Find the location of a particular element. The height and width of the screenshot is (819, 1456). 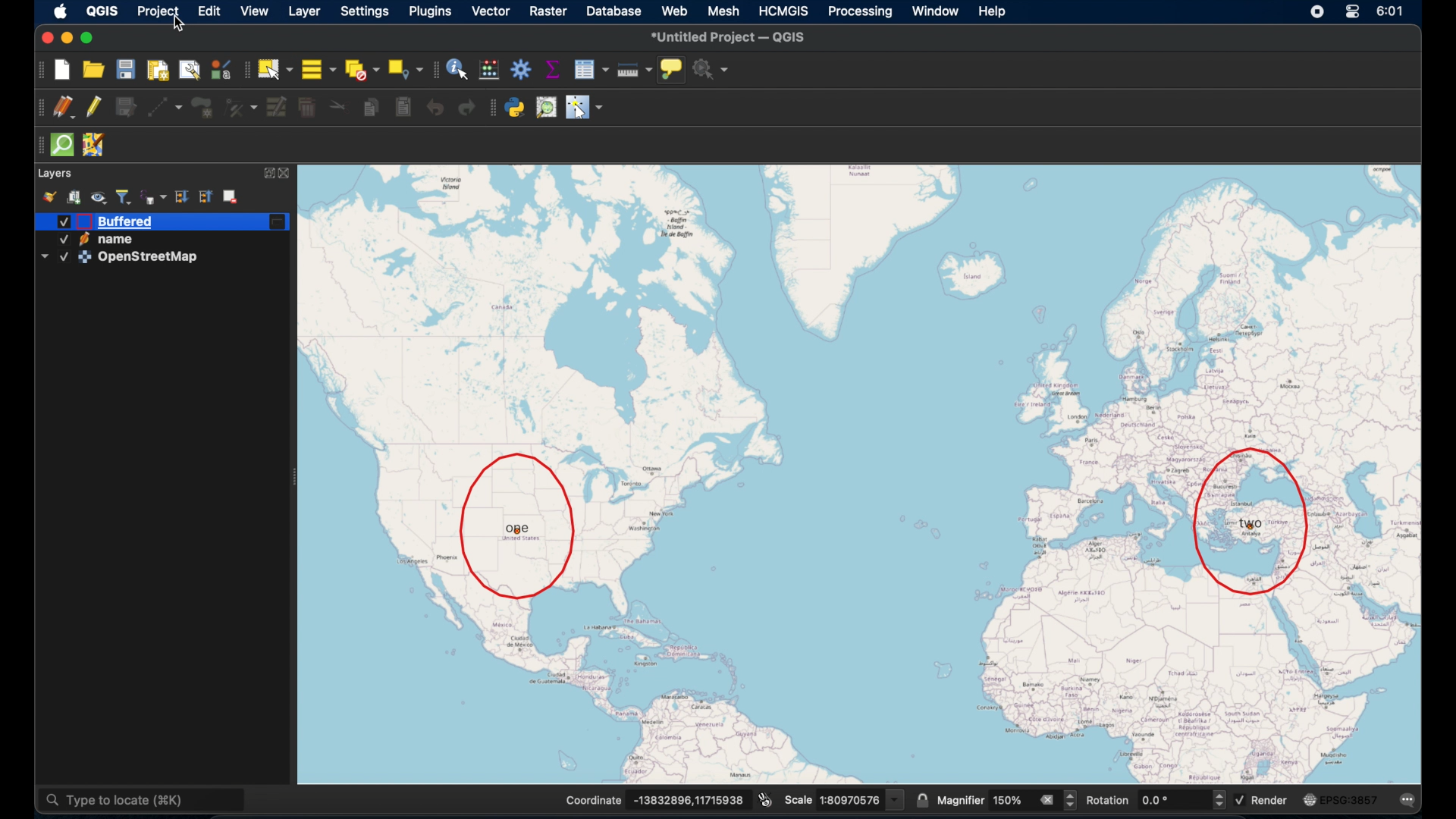

magnifier value is located at coordinates (1009, 799).